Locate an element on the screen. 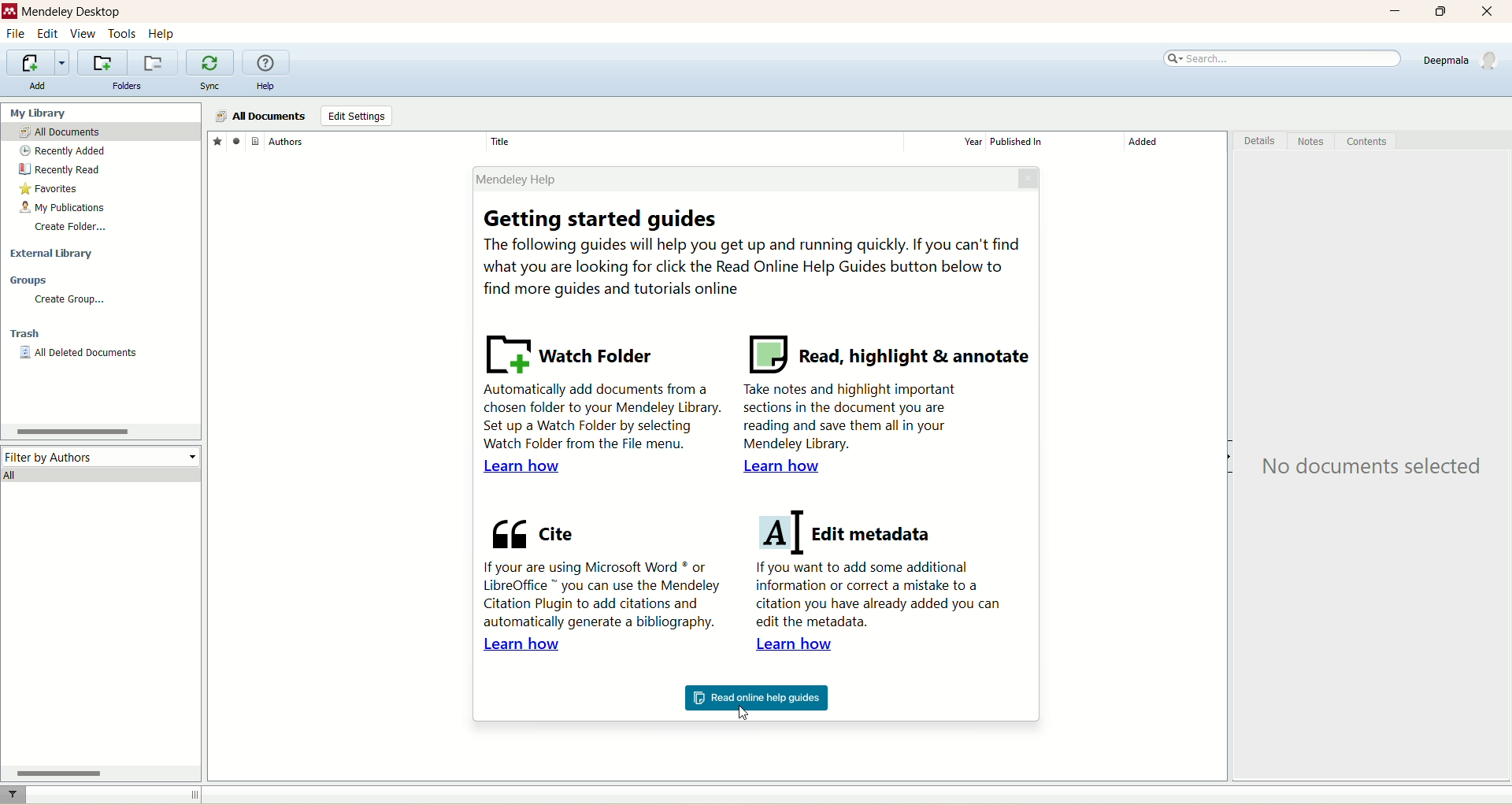 This screenshot has height=805, width=1512. view is located at coordinates (83, 34).